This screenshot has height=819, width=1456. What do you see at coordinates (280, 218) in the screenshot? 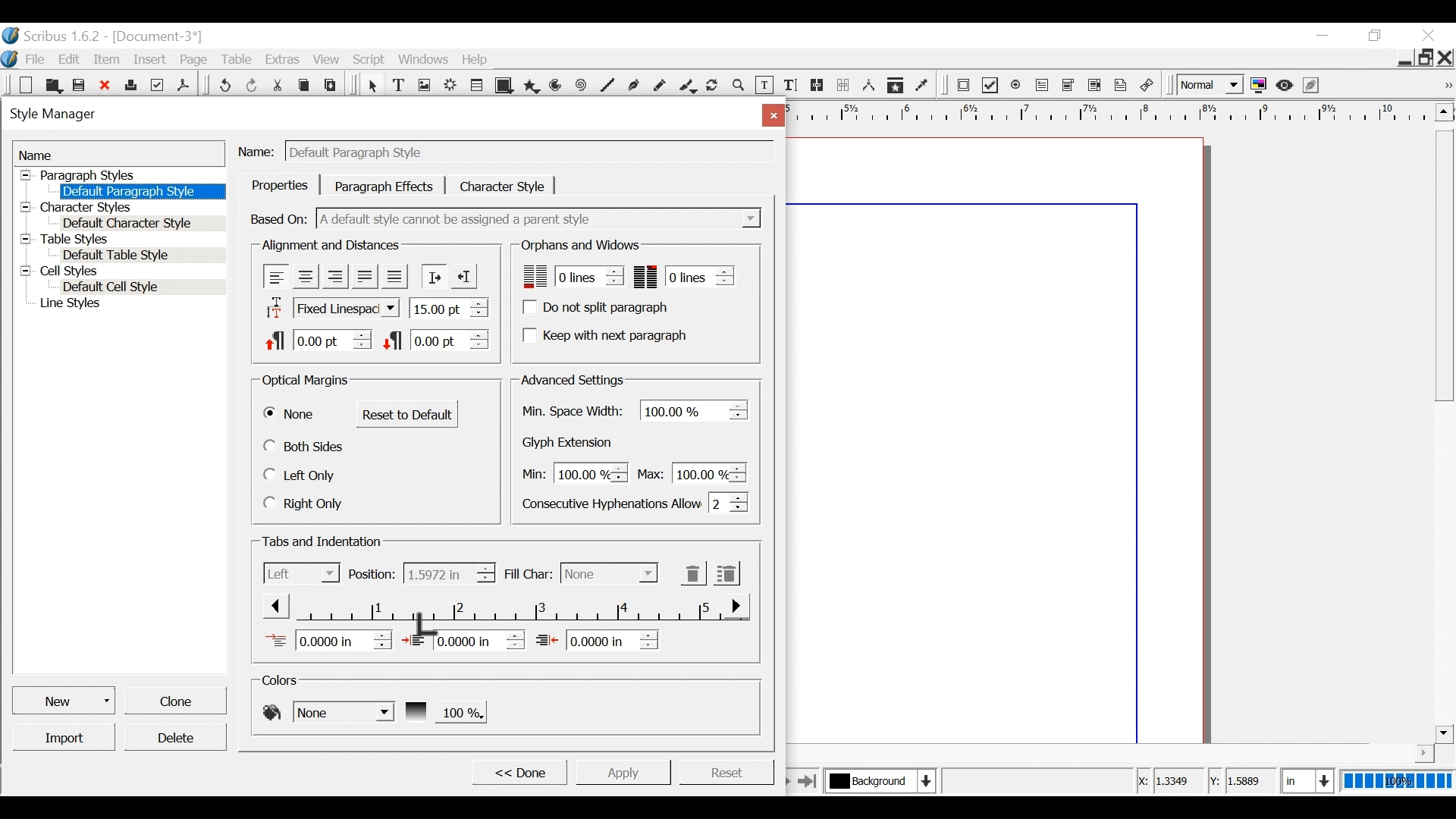
I see `Based on` at bounding box center [280, 218].